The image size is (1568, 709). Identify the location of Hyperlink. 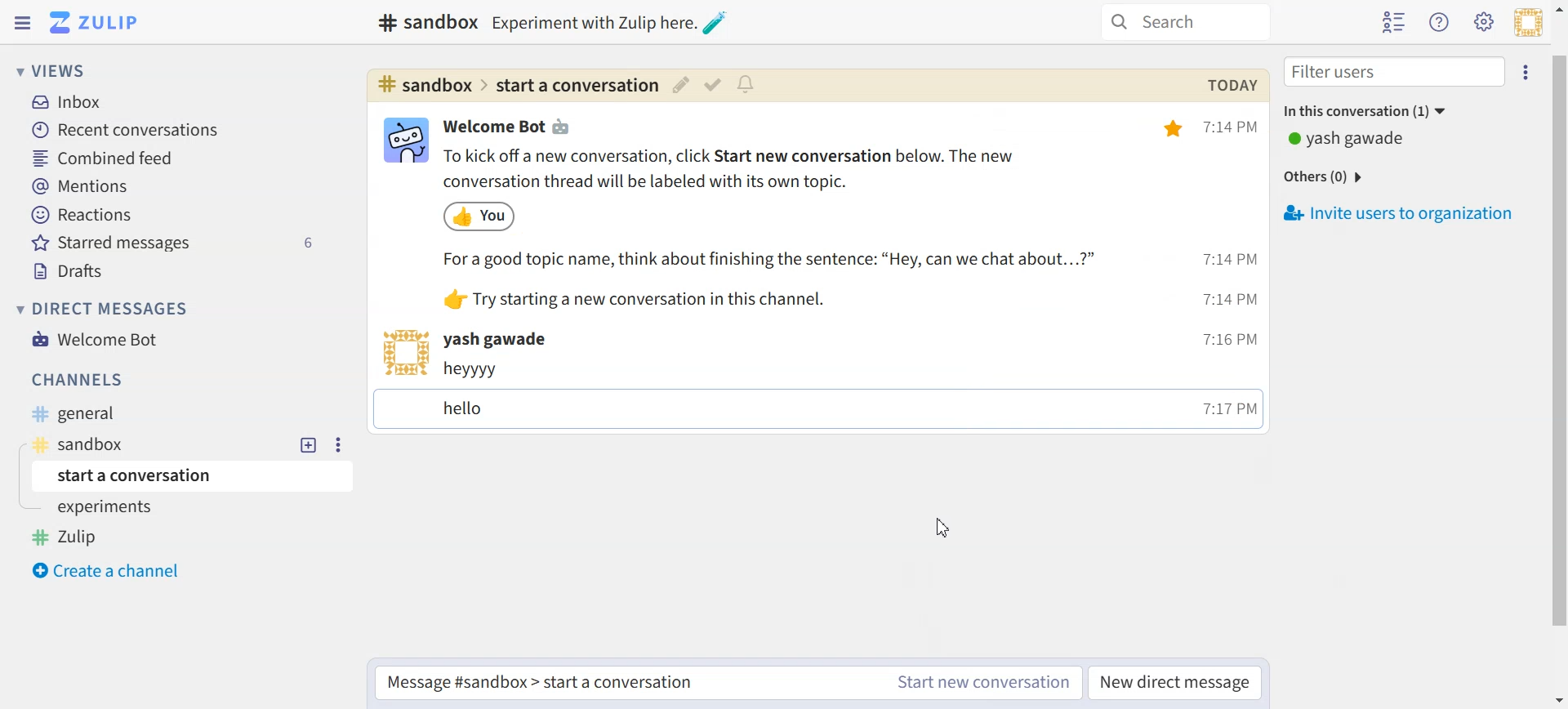
(515, 86).